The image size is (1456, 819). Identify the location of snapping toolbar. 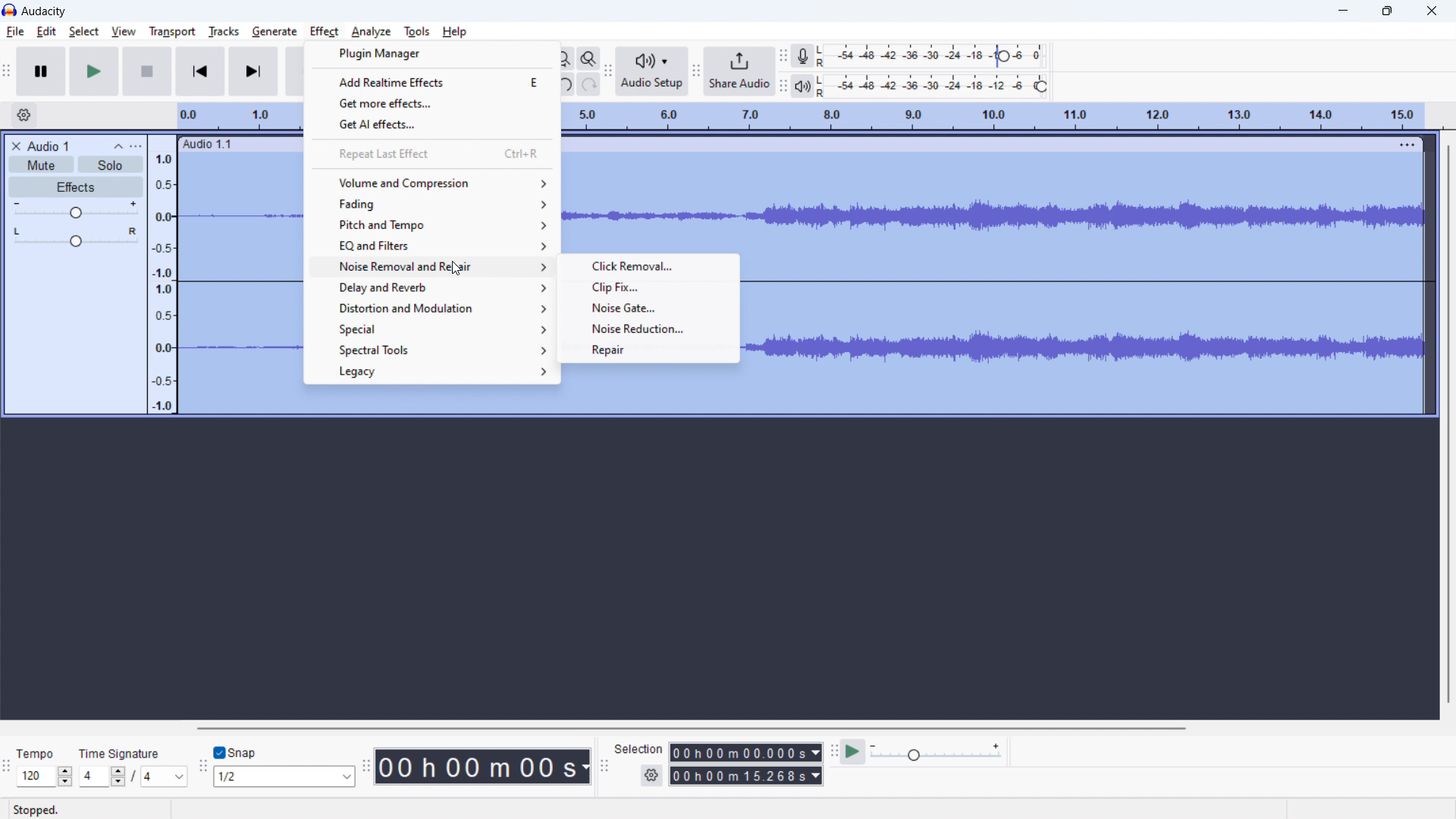
(203, 764).